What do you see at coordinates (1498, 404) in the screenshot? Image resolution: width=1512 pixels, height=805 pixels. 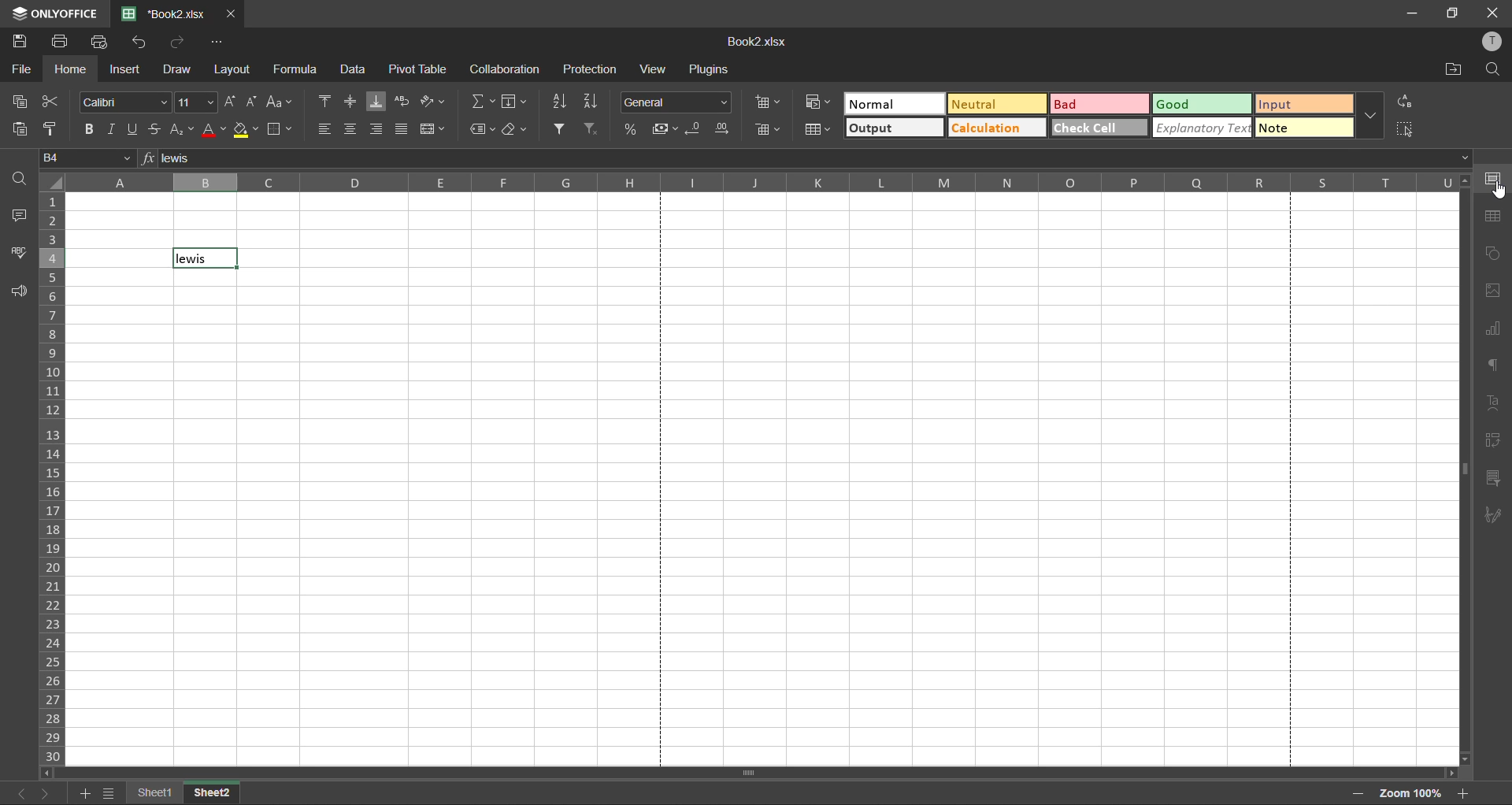 I see `text` at bounding box center [1498, 404].